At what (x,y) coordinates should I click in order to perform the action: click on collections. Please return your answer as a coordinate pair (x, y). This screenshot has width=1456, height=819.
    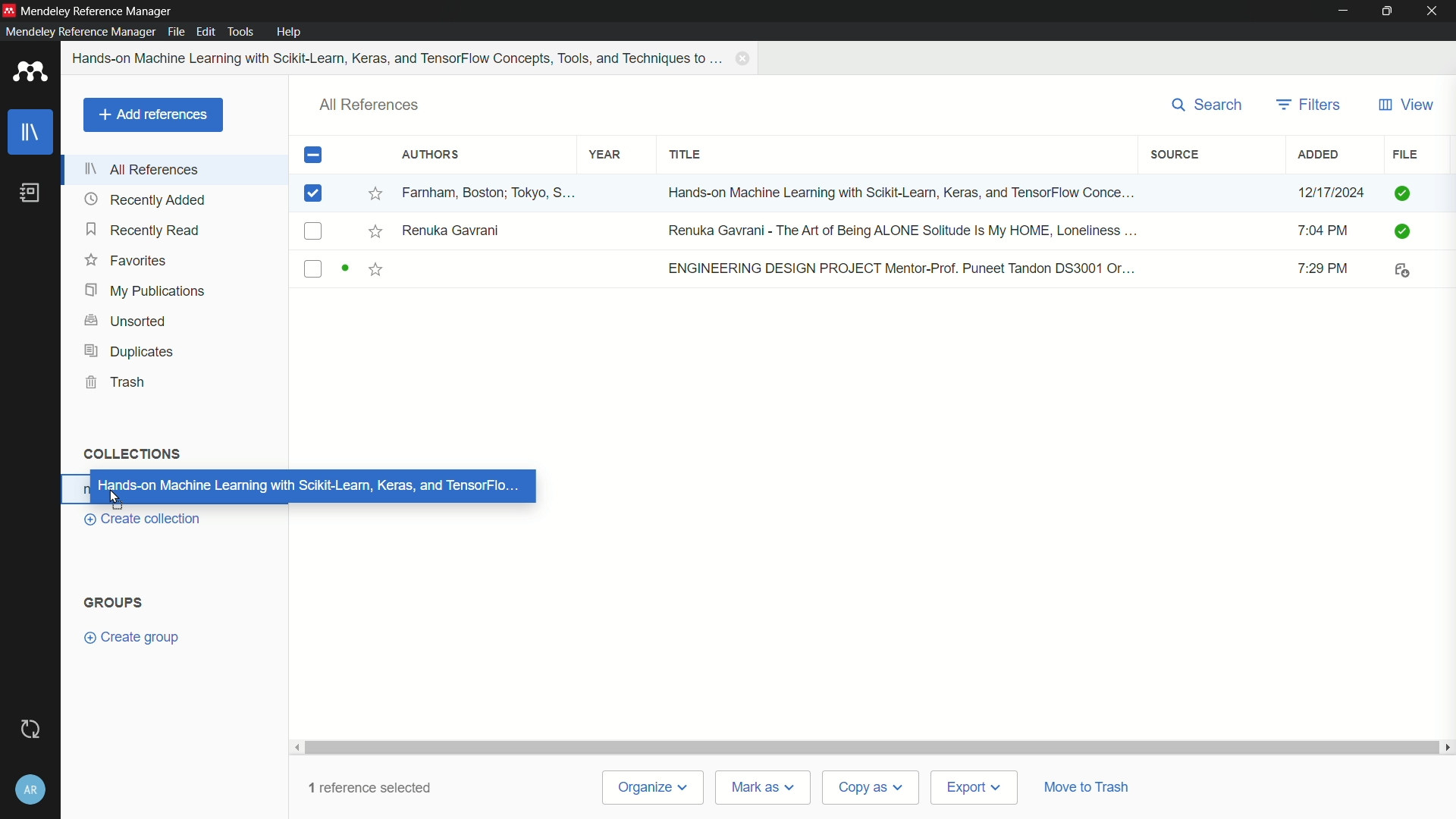
    Looking at the image, I should click on (130, 453).